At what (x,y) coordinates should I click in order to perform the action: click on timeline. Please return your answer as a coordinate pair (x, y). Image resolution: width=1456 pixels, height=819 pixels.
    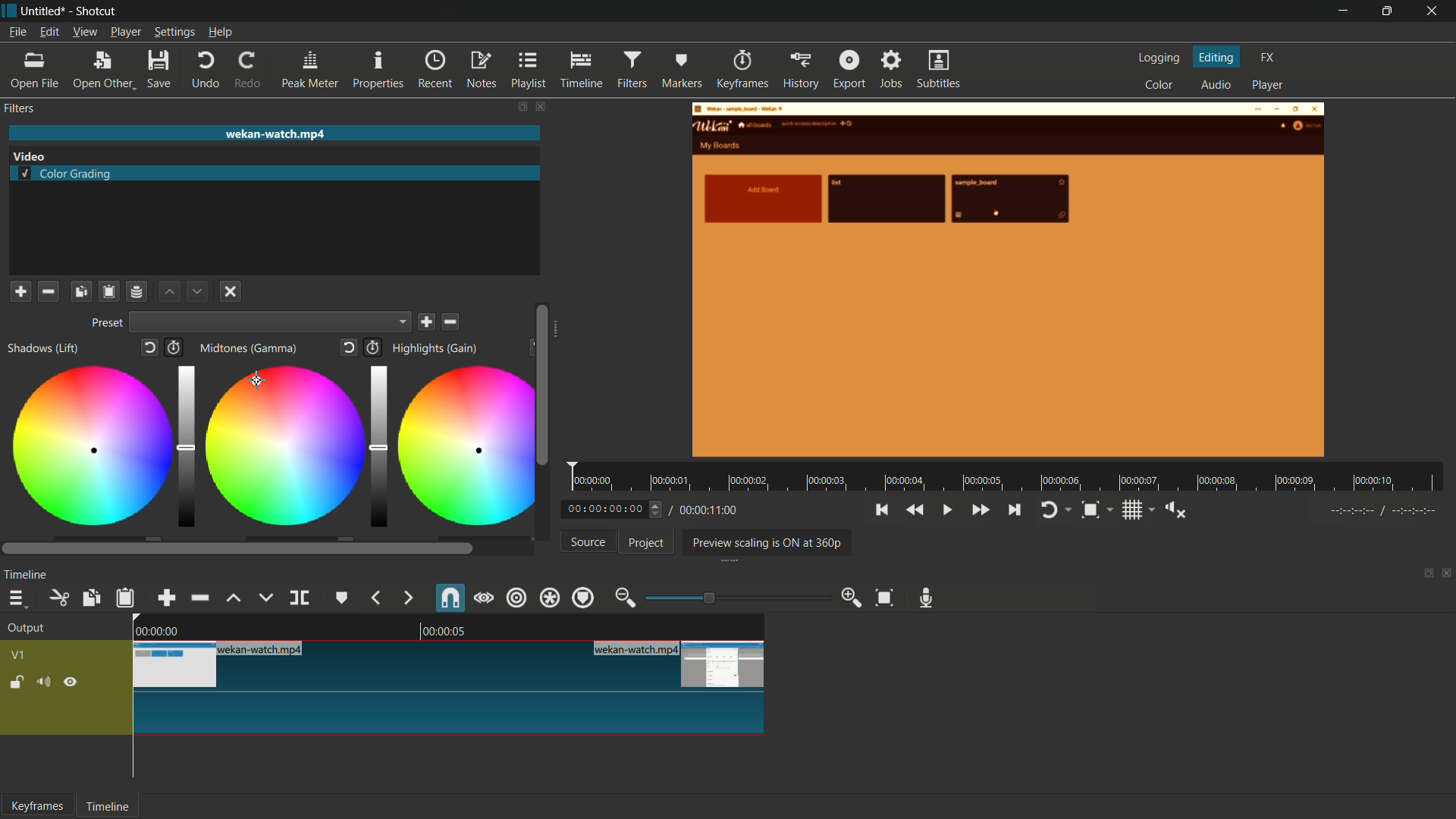
    Looking at the image, I should click on (110, 806).